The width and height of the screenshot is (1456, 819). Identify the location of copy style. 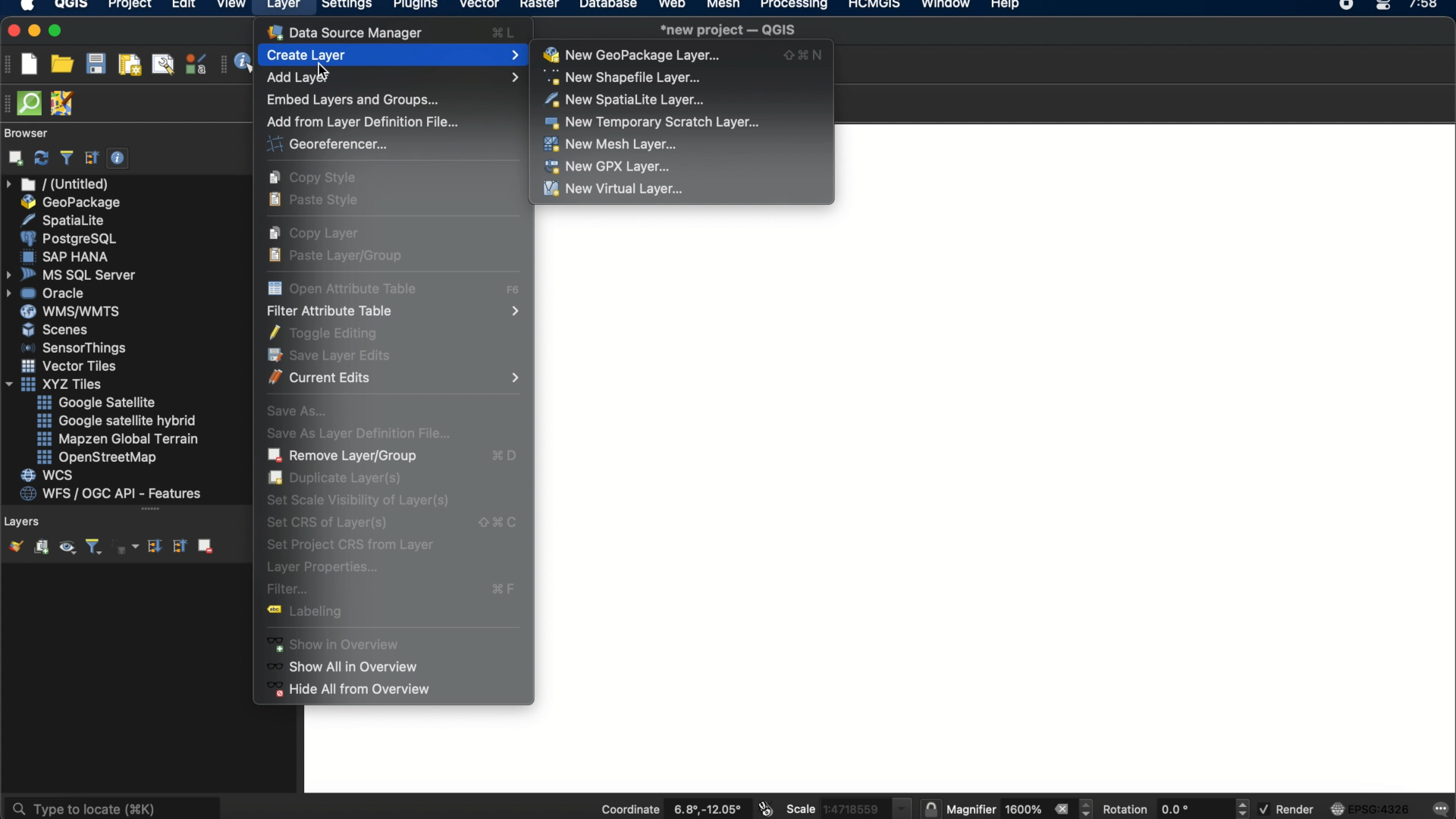
(312, 177).